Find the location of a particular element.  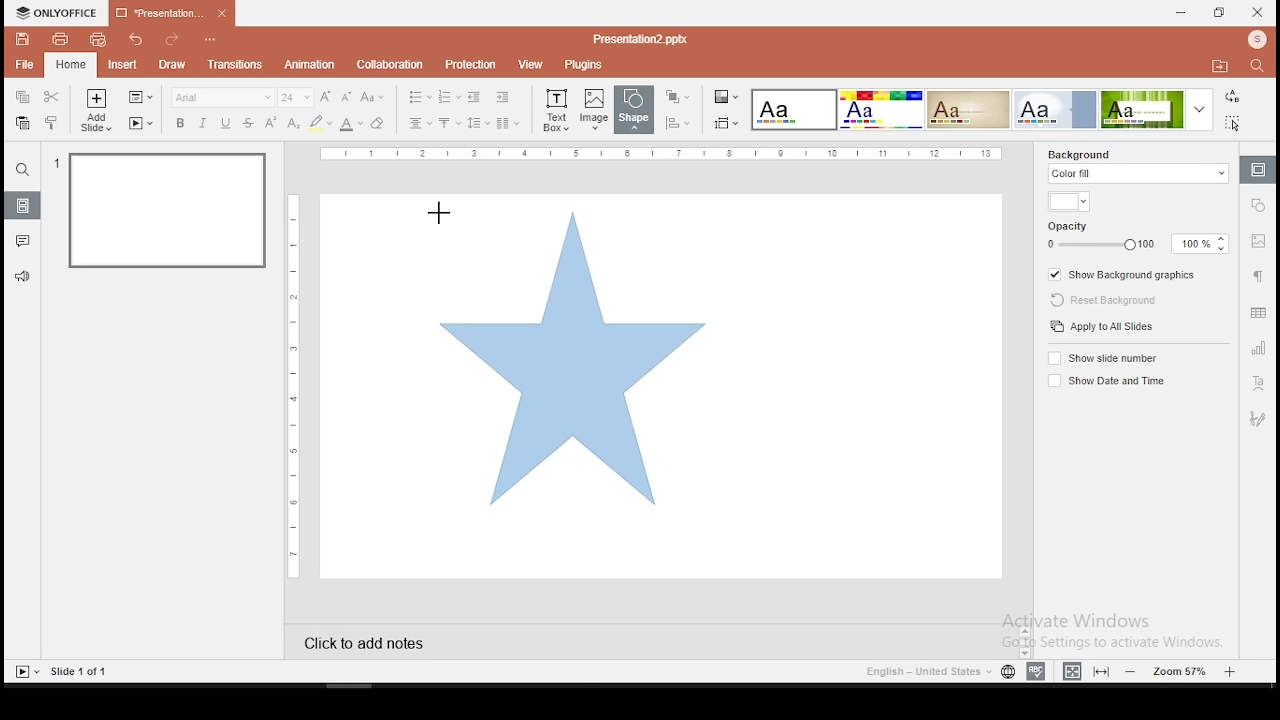

animation is located at coordinates (312, 65).